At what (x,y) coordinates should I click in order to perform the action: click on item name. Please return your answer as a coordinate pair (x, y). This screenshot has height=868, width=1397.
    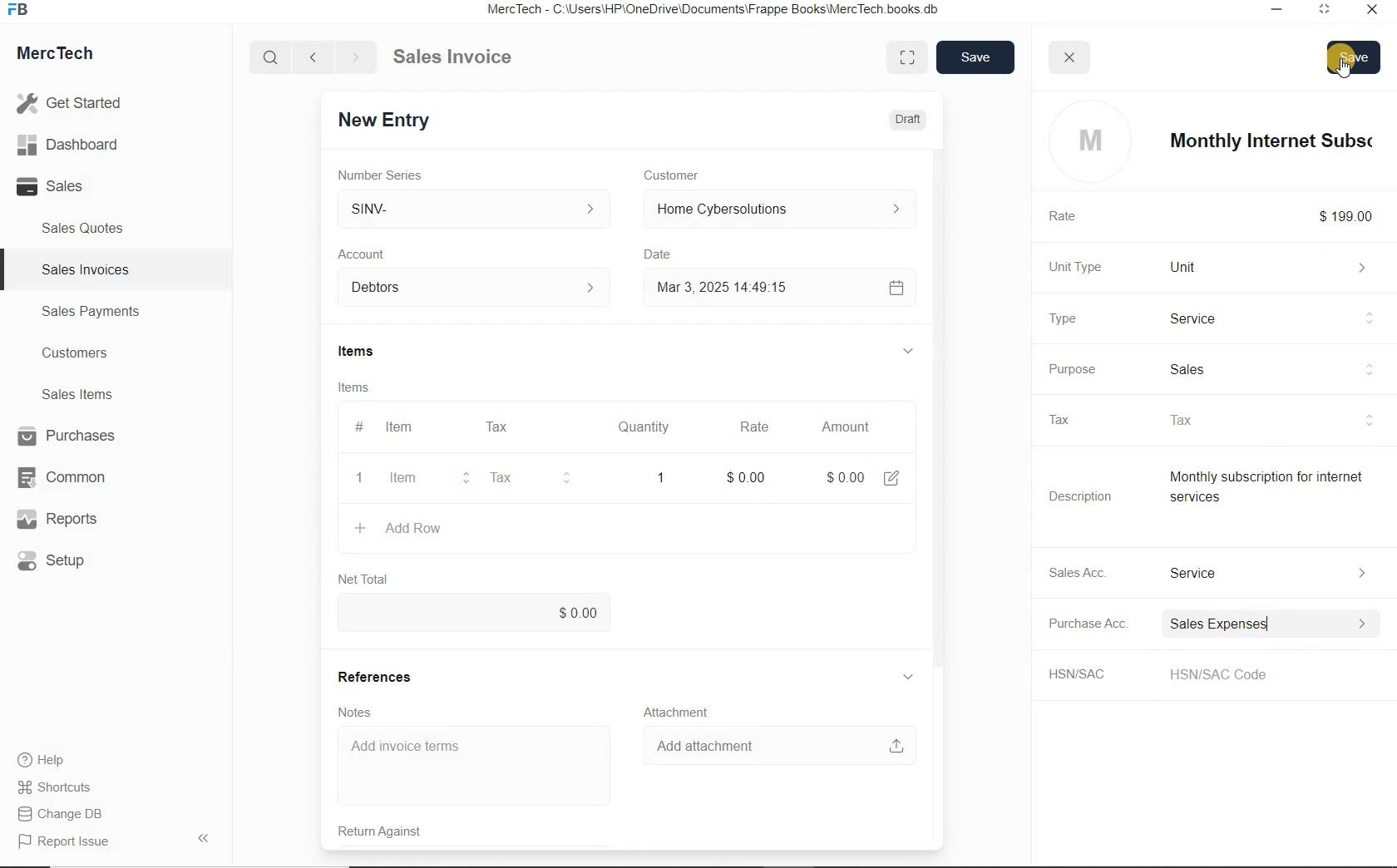
    Looking at the image, I should click on (1263, 141).